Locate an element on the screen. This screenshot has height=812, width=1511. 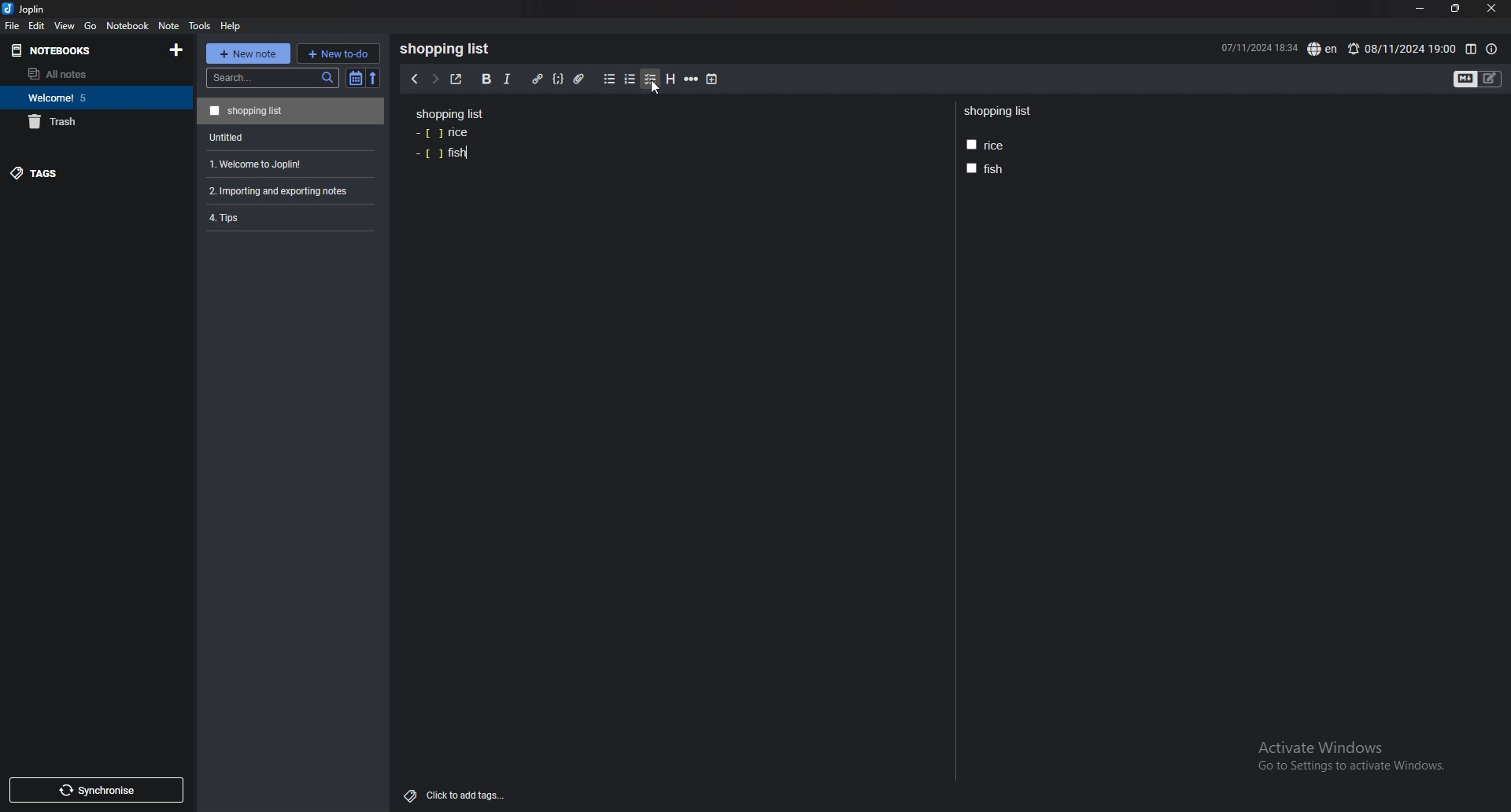
resize is located at coordinates (1454, 9).